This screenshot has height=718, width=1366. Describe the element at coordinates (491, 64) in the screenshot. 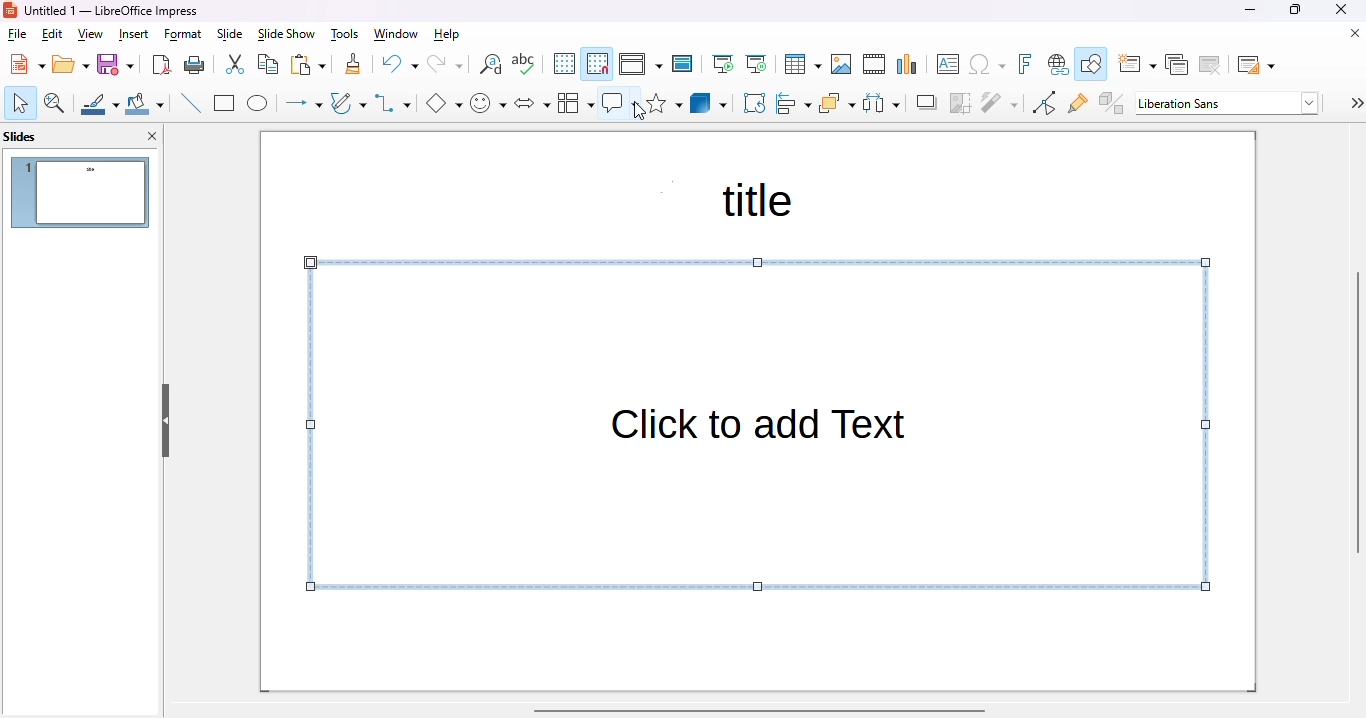

I see `find and replace` at that location.